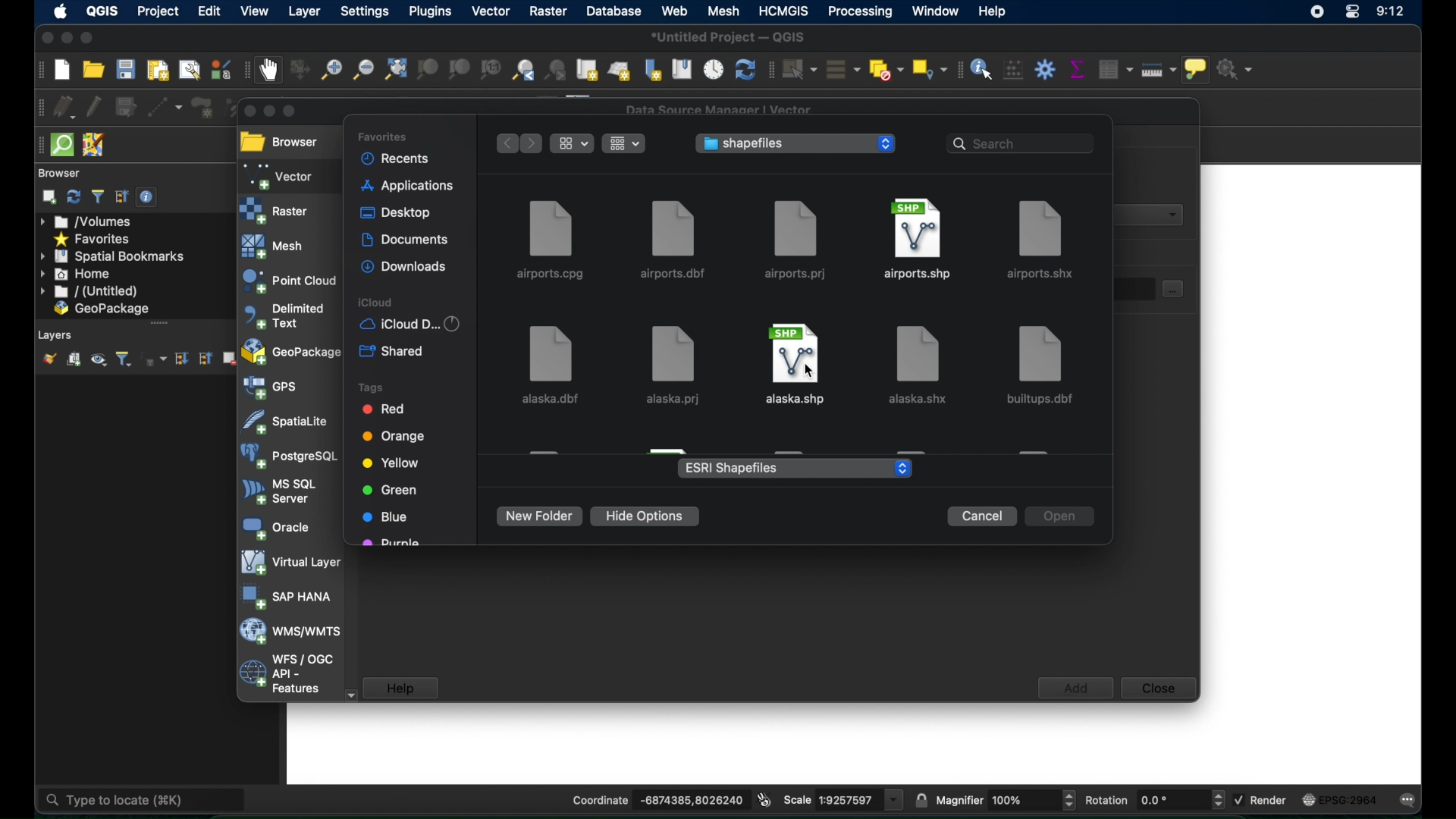 Image resolution: width=1456 pixels, height=819 pixels. What do you see at coordinates (289, 457) in the screenshot?
I see `postgresql` at bounding box center [289, 457].